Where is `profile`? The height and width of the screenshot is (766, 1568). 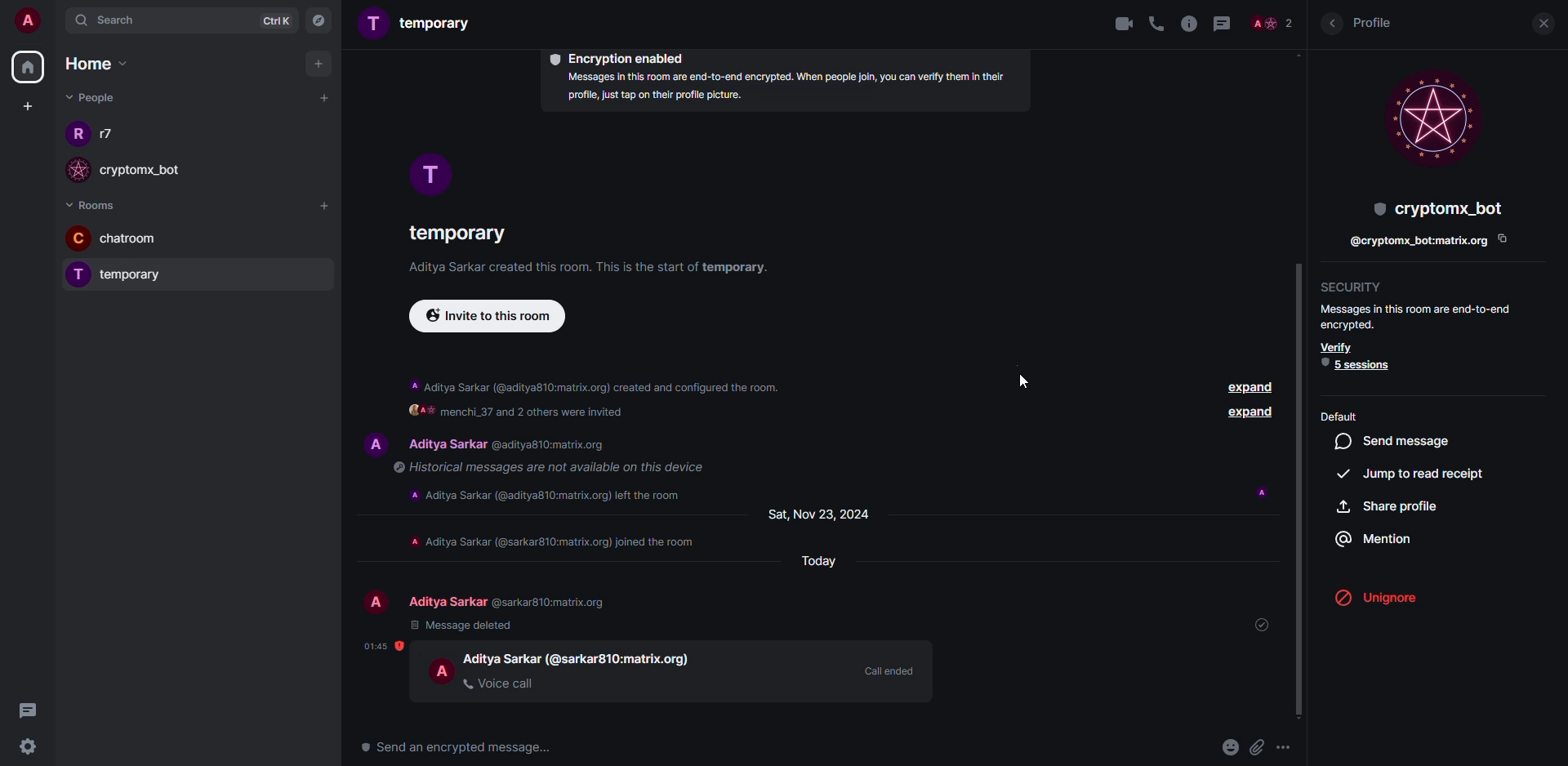 profile is located at coordinates (430, 175).